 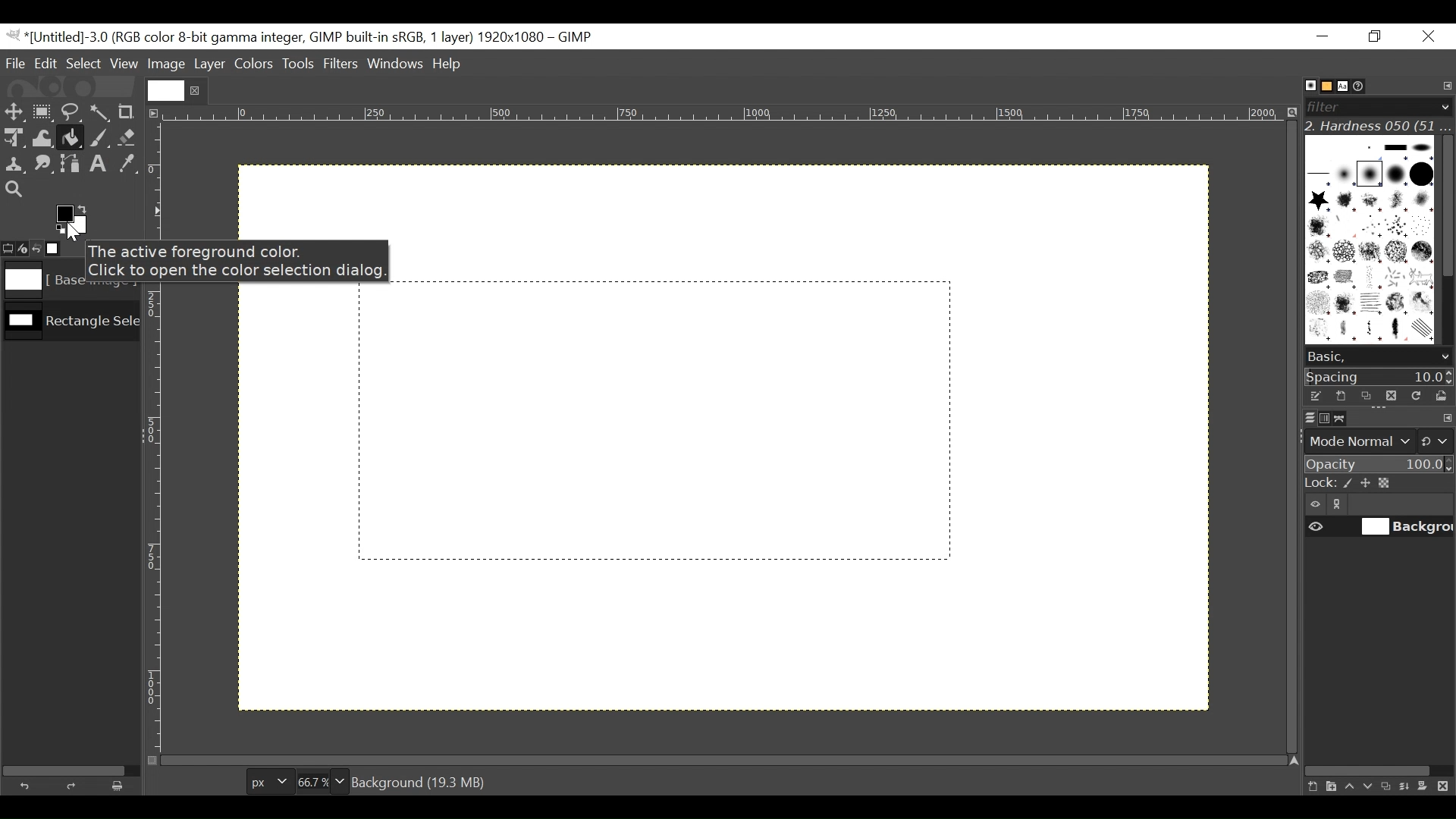 What do you see at coordinates (71, 224) in the screenshot?
I see `Cursor on active background color` at bounding box center [71, 224].